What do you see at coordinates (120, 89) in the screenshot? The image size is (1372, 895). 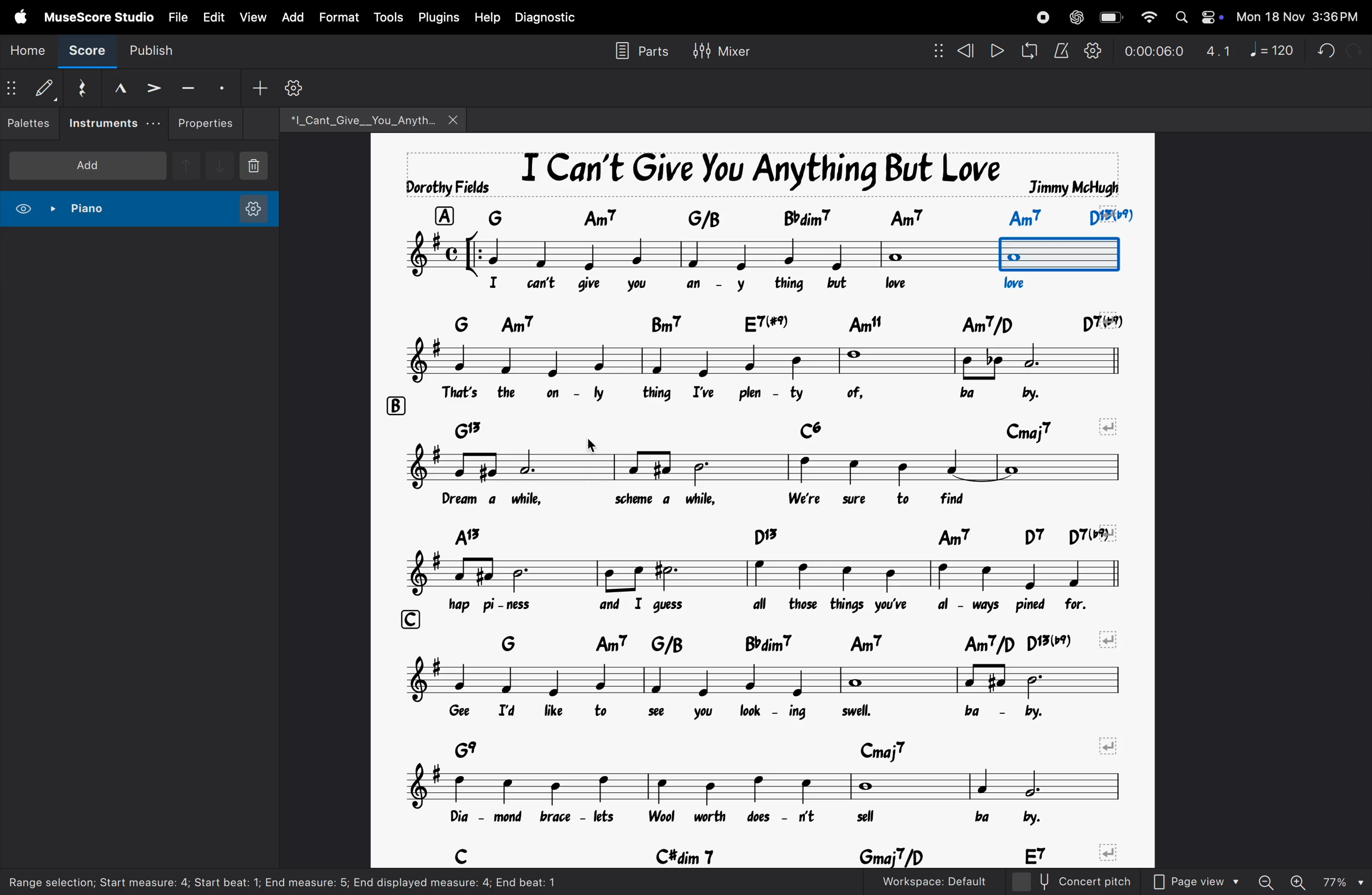 I see `marcato` at bounding box center [120, 89].